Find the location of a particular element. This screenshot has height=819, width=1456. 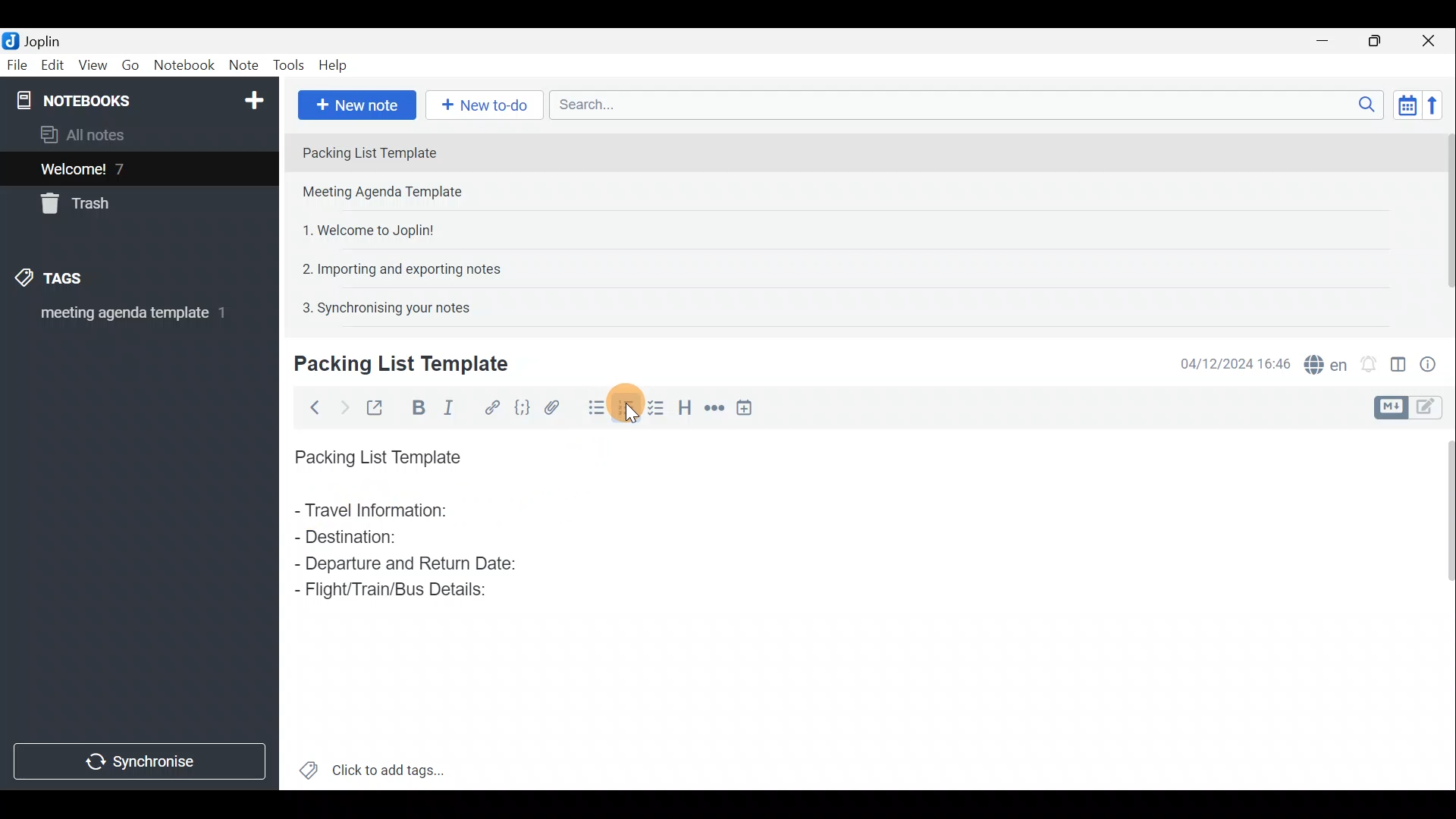

Horizontal rule is located at coordinates (712, 408).